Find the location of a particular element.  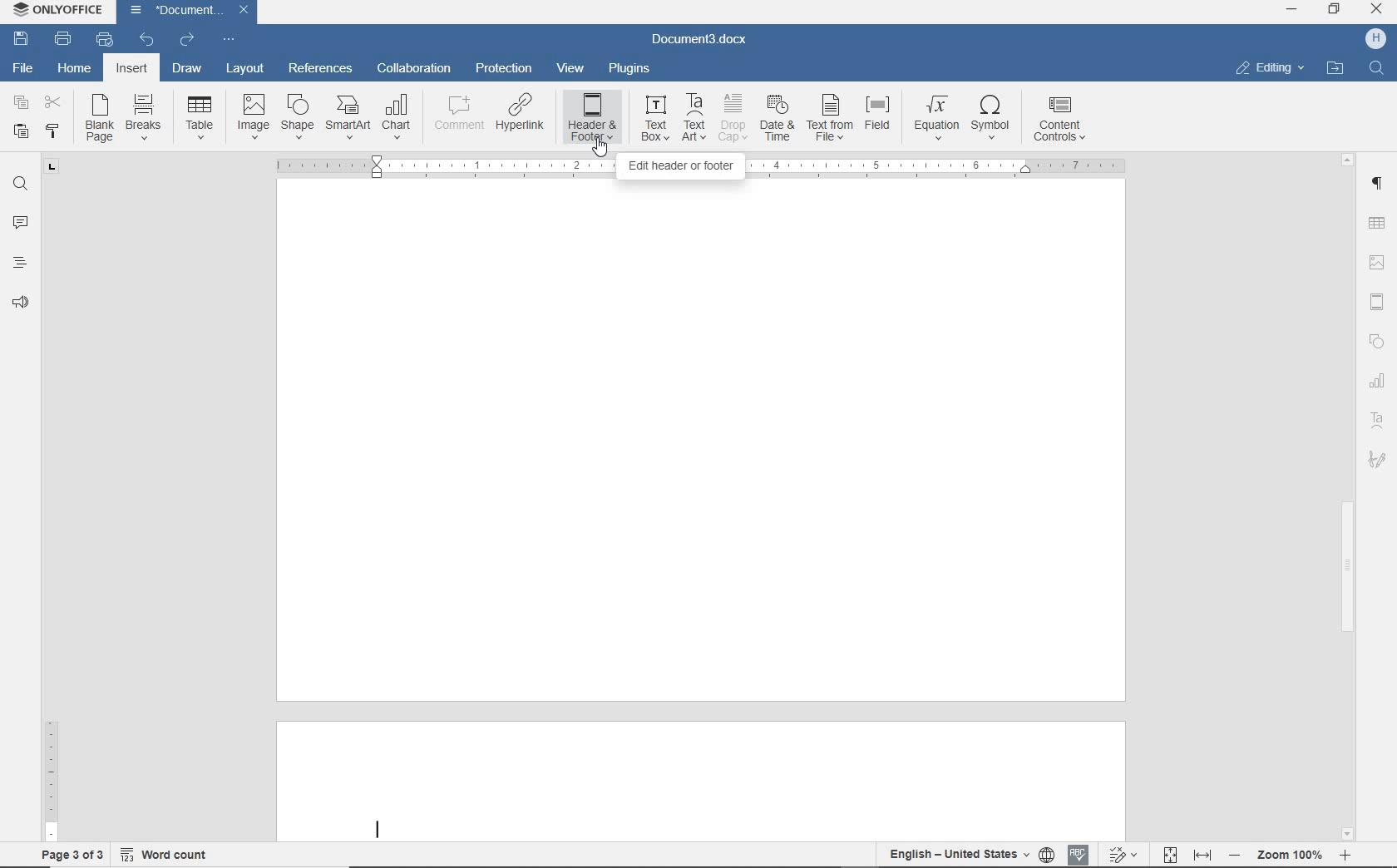

REDO is located at coordinates (188, 37).